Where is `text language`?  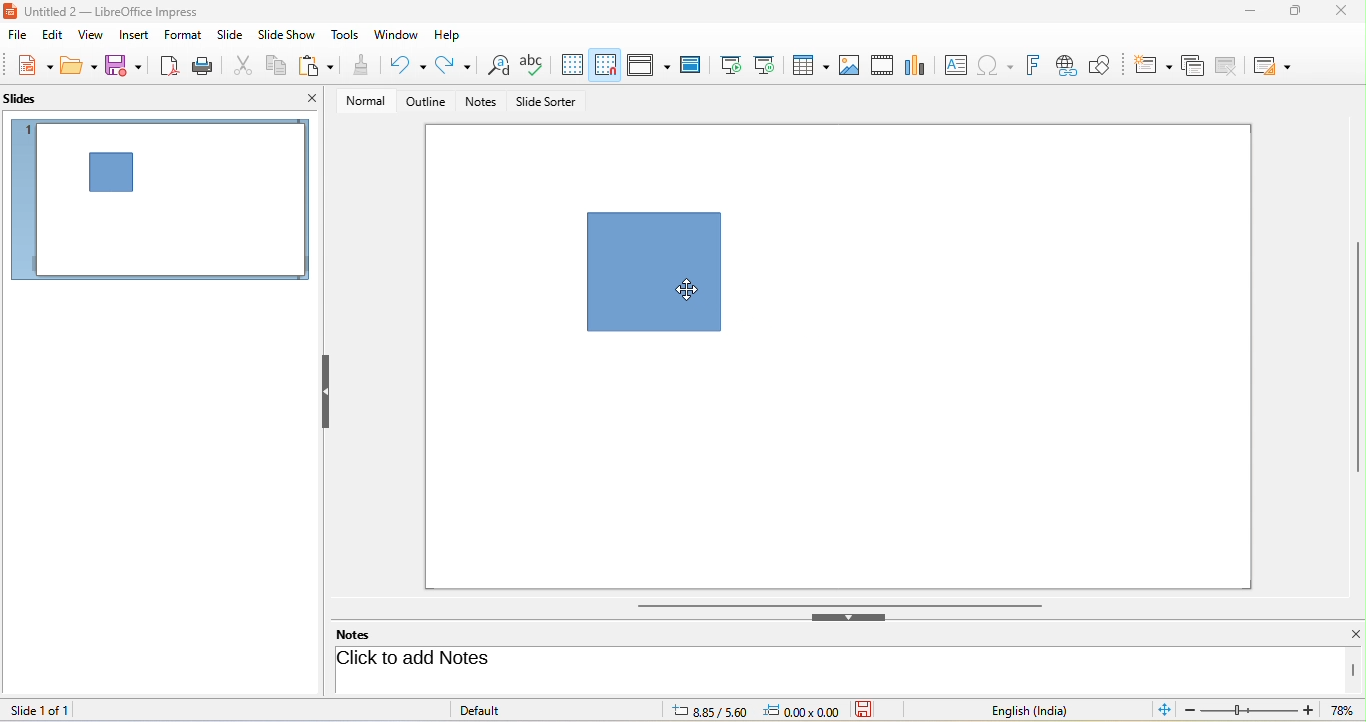
text language is located at coordinates (1045, 710).